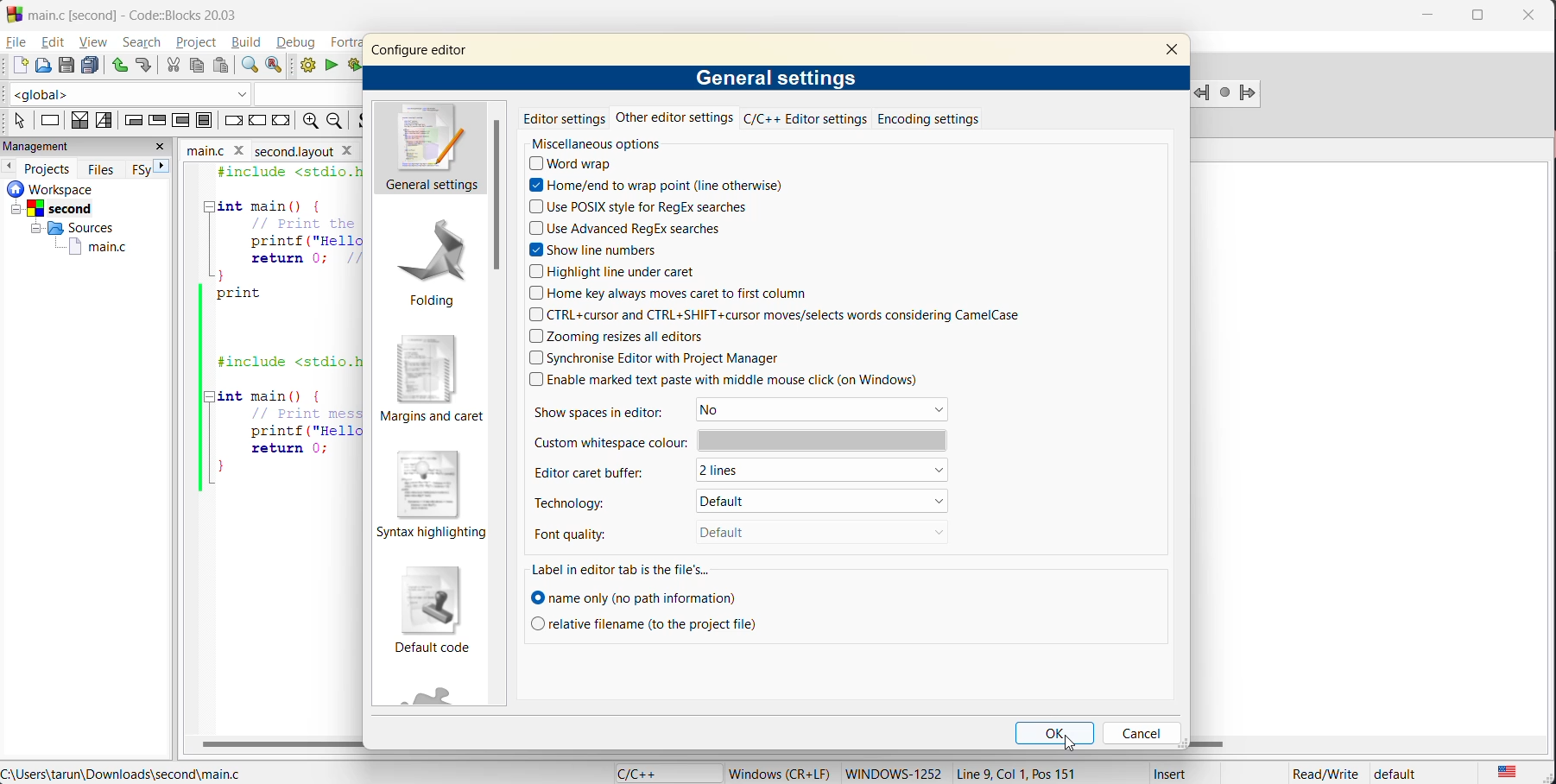 The image size is (1556, 784). What do you see at coordinates (432, 261) in the screenshot?
I see `folding` at bounding box center [432, 261].